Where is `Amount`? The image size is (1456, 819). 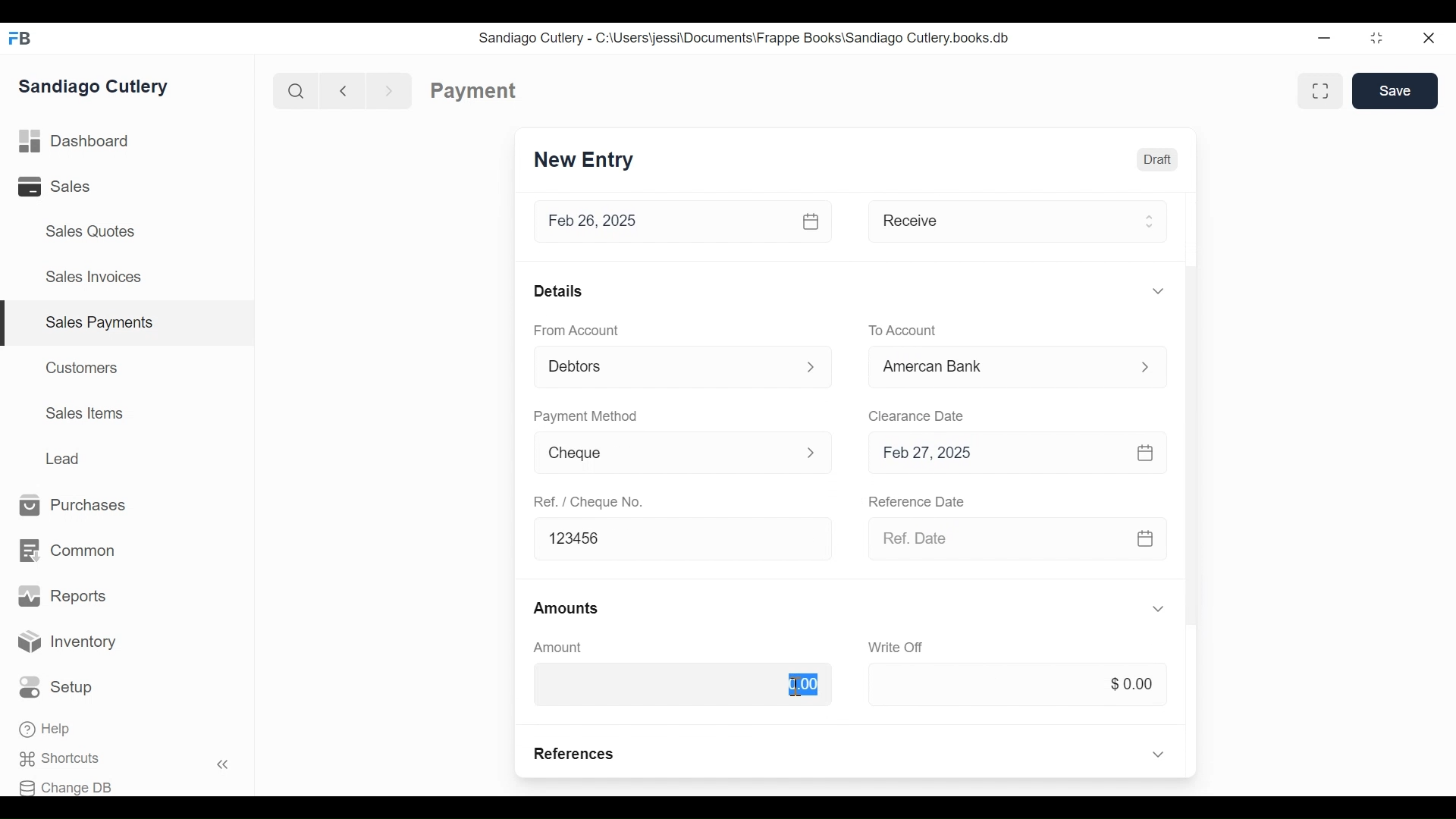 Amount is located at coordinates (558, 647).